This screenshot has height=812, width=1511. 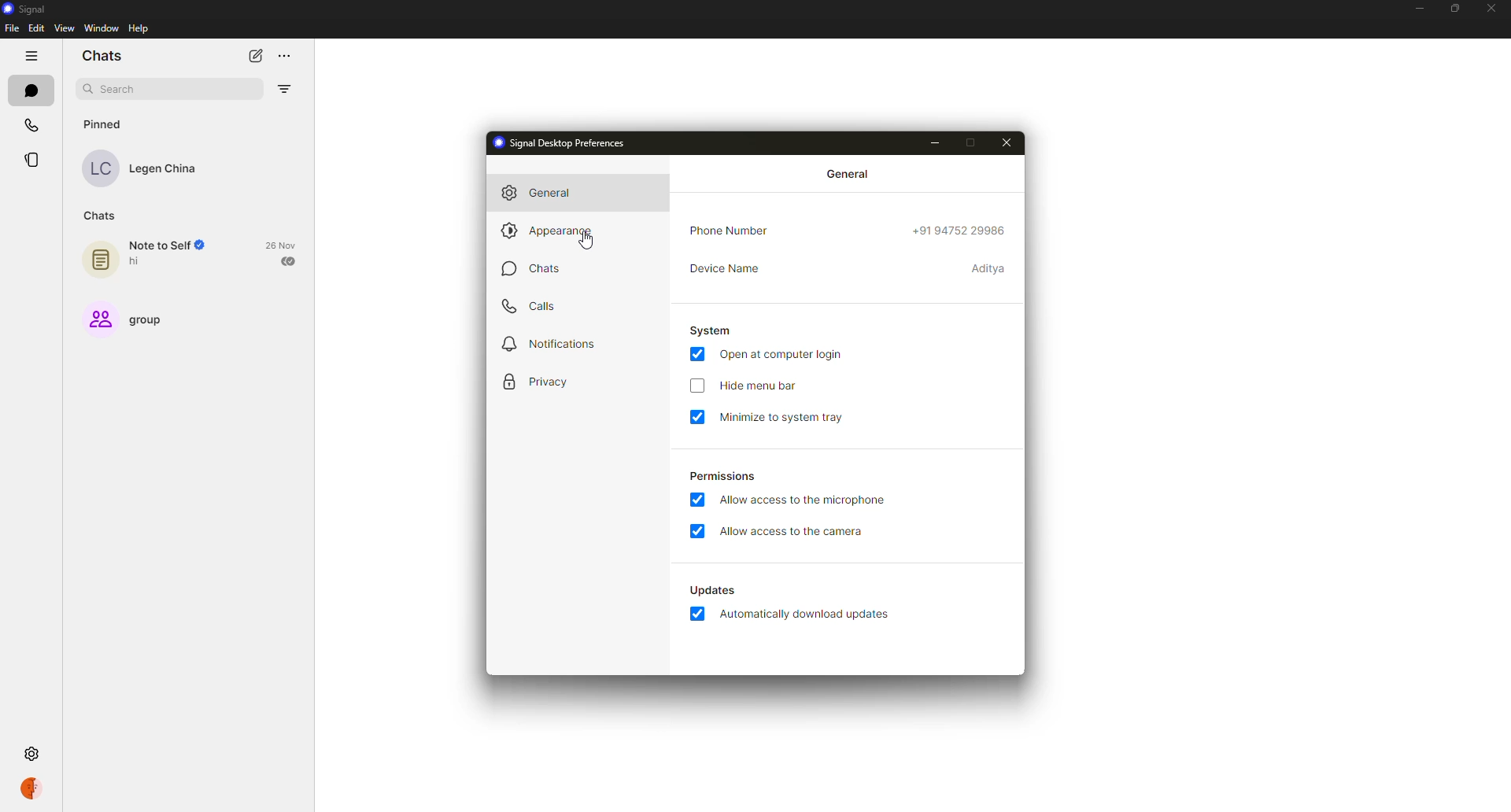 I want to click on device name, so click(x=729, y=268).